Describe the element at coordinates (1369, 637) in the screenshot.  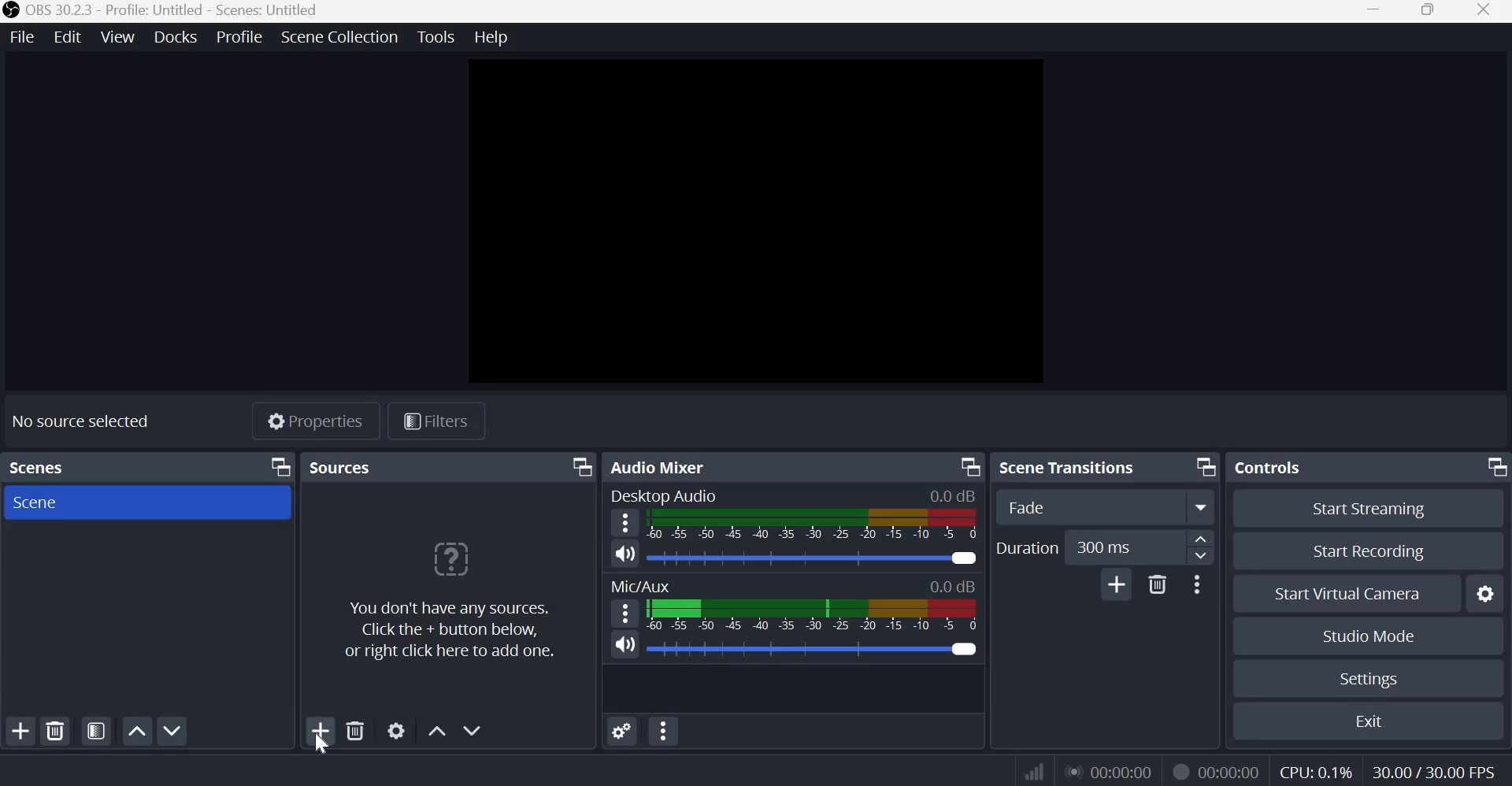
I see `Studio mode` at that location.